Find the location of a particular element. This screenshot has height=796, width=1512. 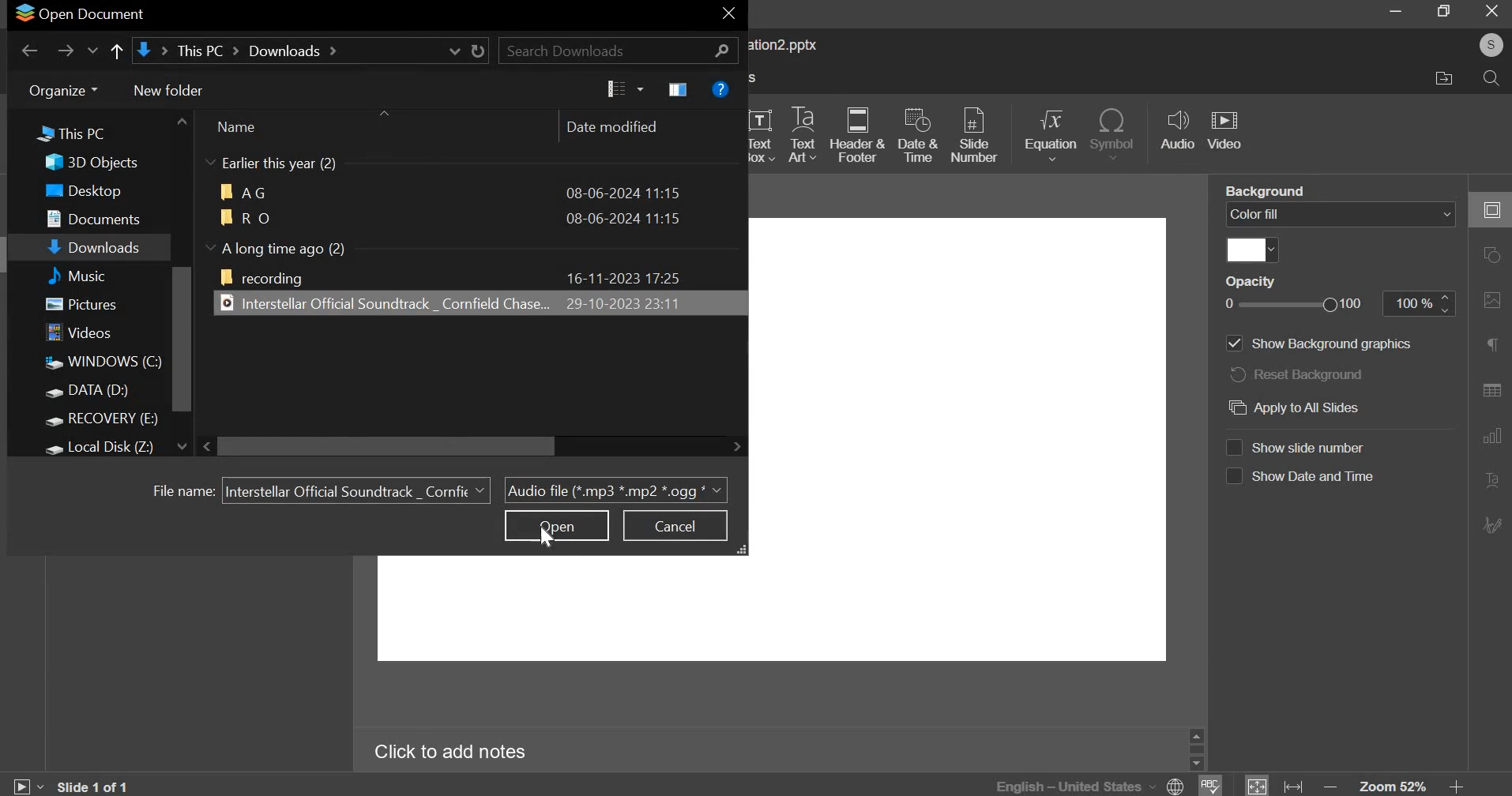

scroll down is located at coordinates (1196, 764).